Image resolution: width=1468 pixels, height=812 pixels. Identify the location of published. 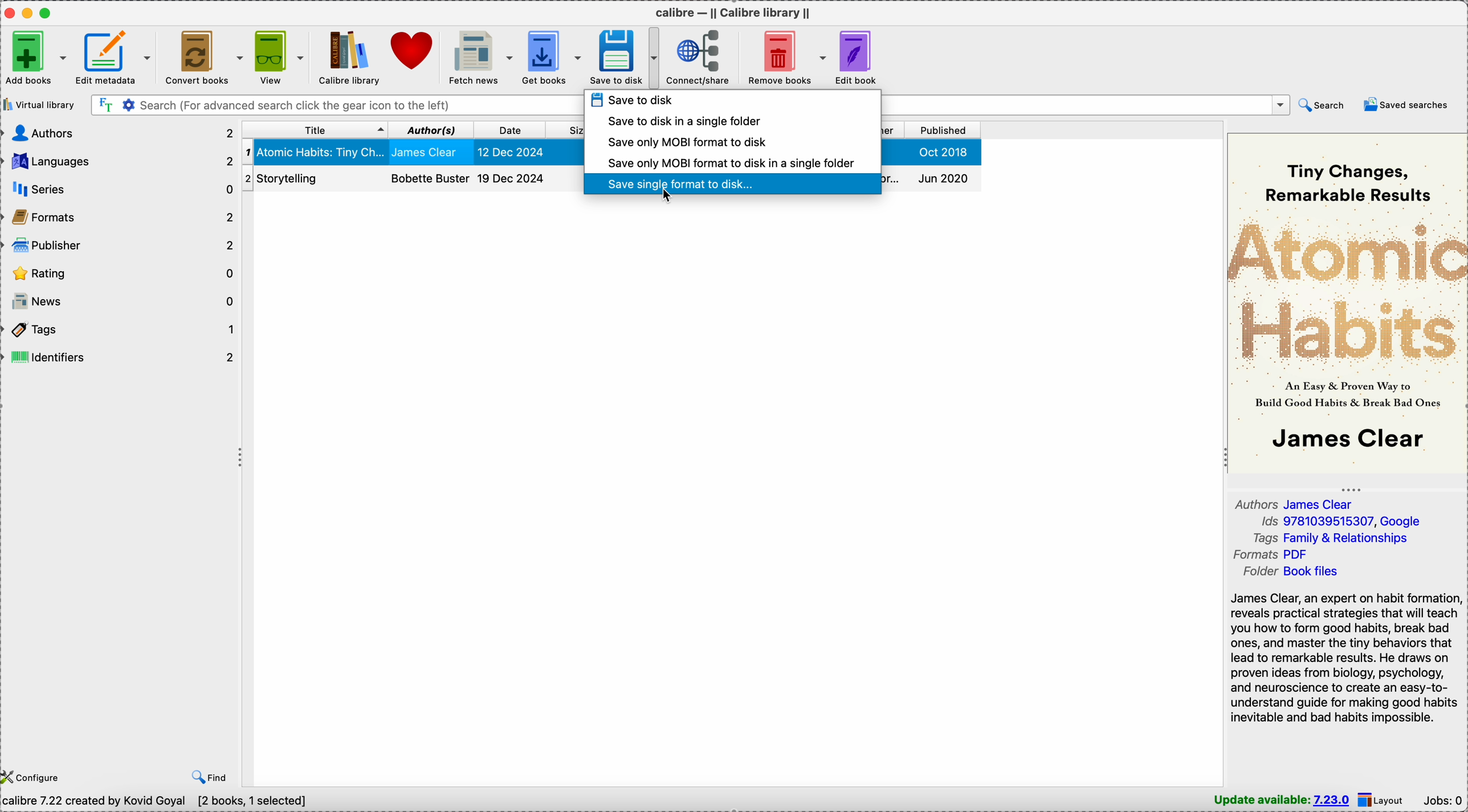
(942, 130).